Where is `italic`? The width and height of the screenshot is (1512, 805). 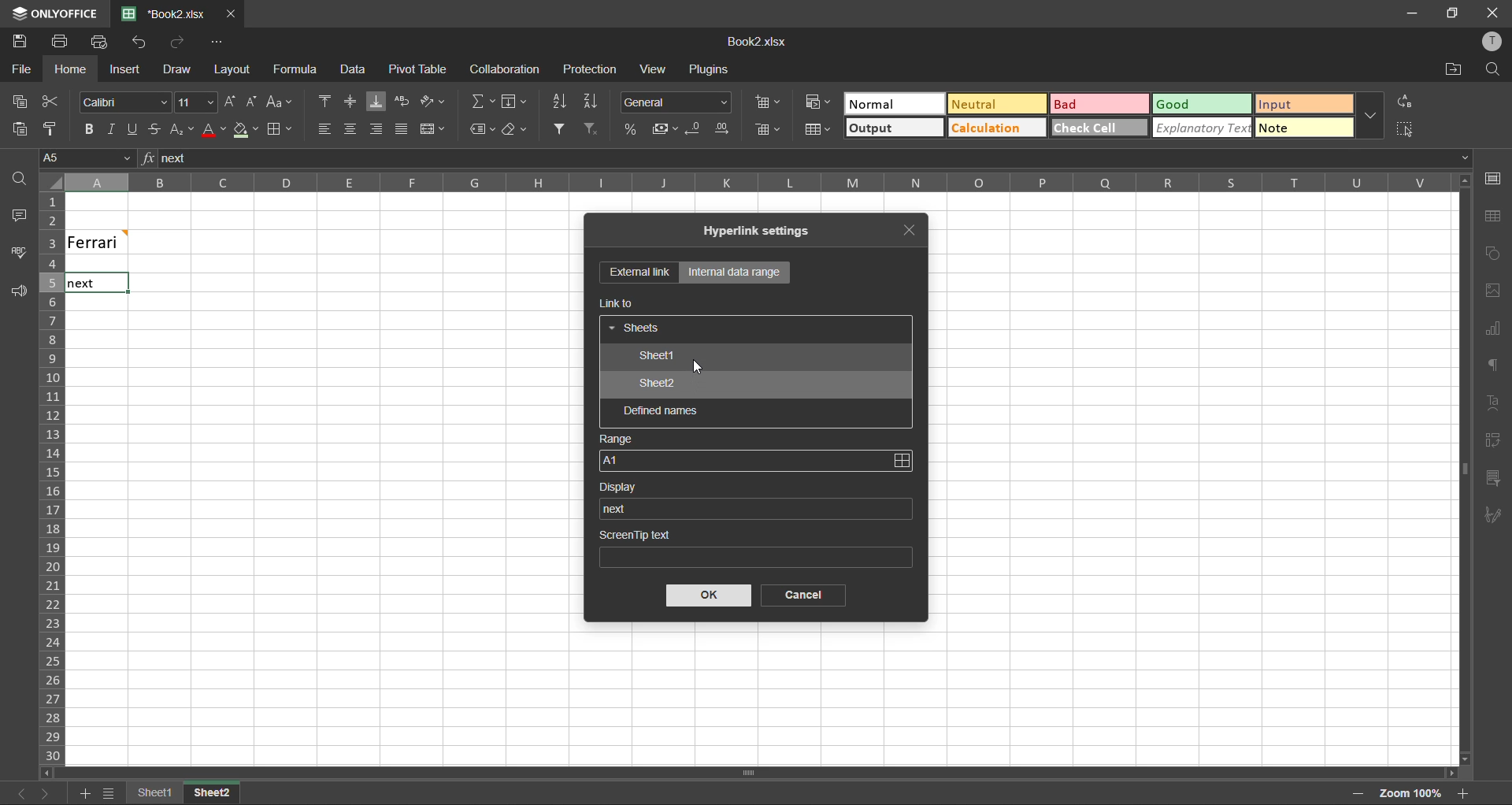
italic is located at coordinates (109, 129).